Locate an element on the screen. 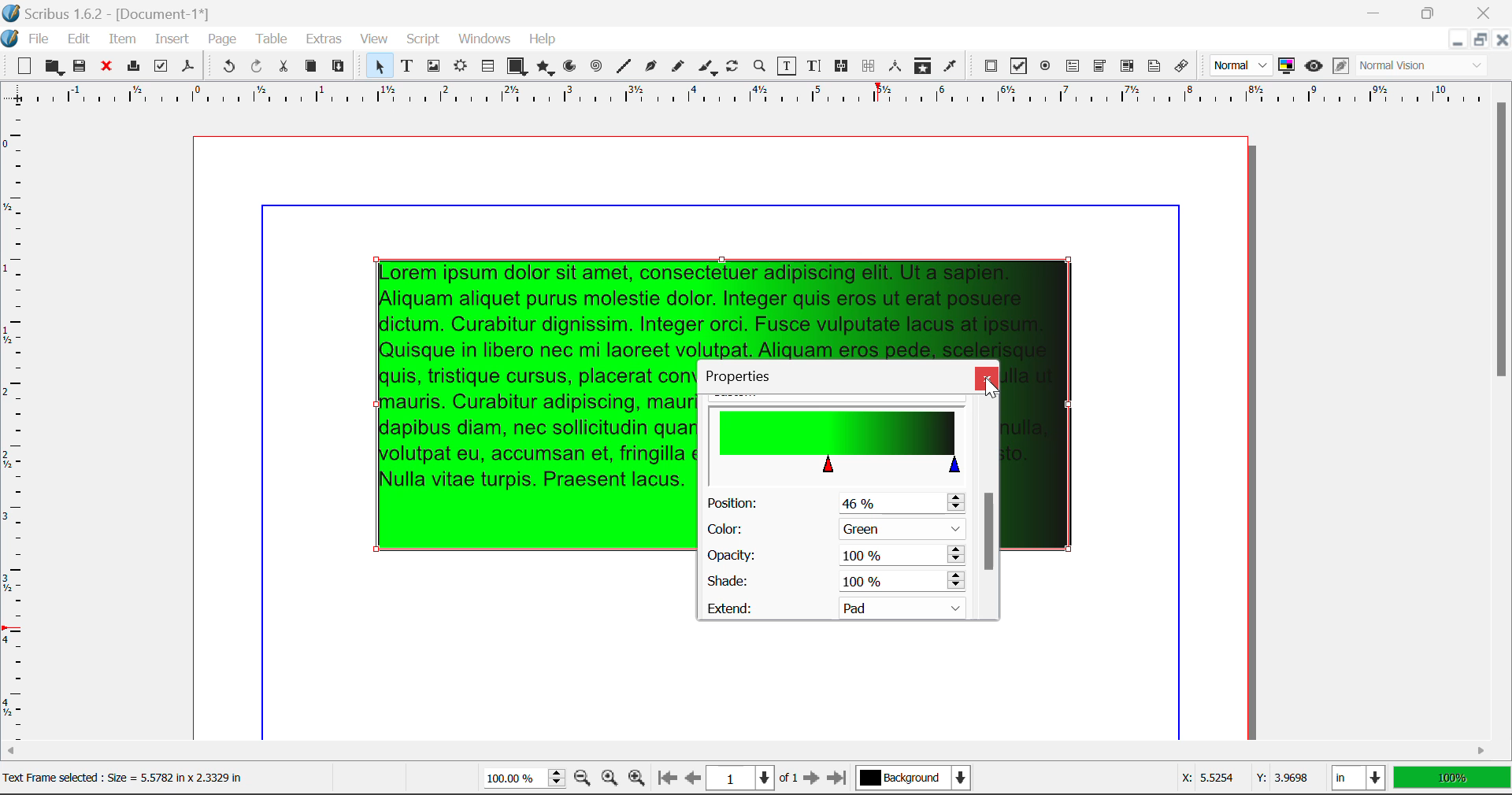 This screenshot has height=795, width=1512. Minimize is located at coordinates (1478, 39).